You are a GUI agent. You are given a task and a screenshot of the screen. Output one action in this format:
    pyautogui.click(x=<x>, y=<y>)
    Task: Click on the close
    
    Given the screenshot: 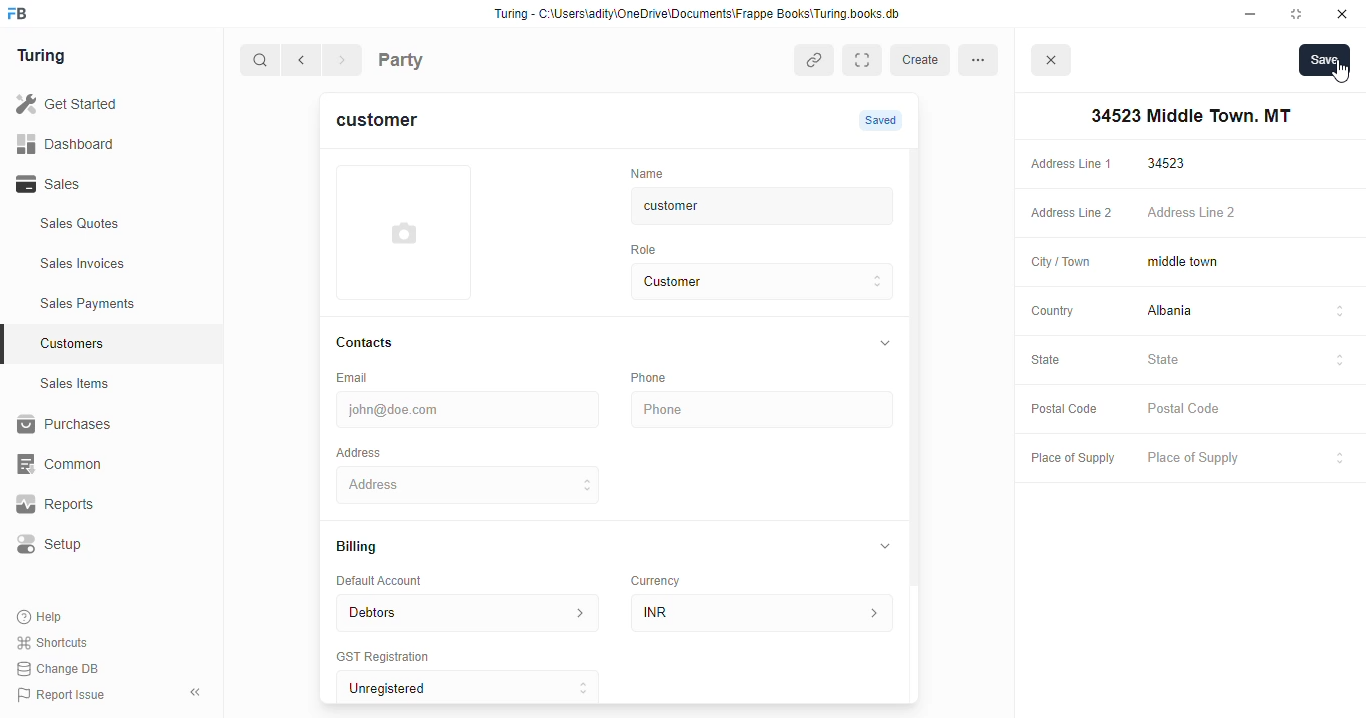 What is the action you would take?
    pyautogui.click(x=1345, y=14)
    